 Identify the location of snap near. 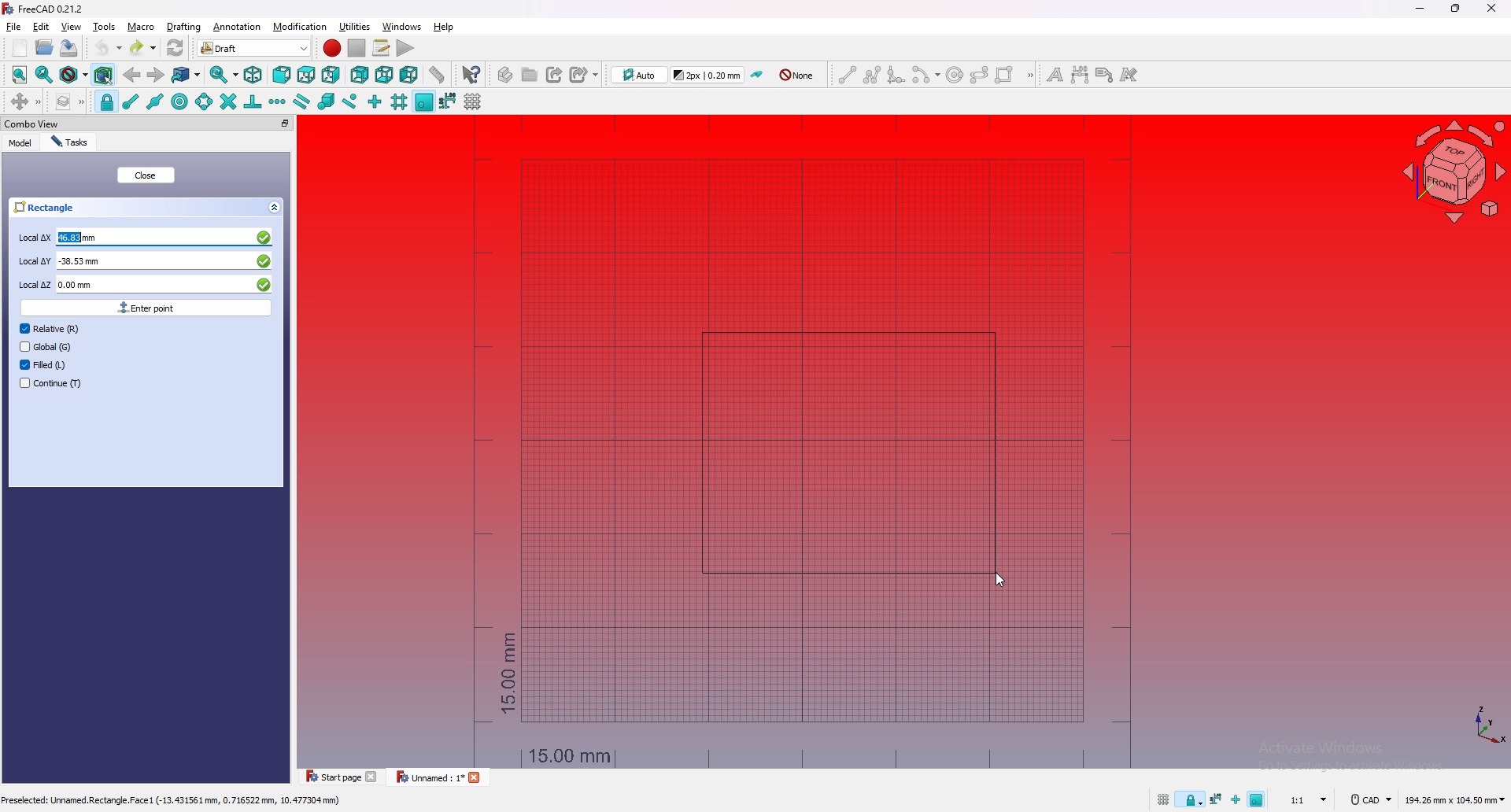
(350, 102).